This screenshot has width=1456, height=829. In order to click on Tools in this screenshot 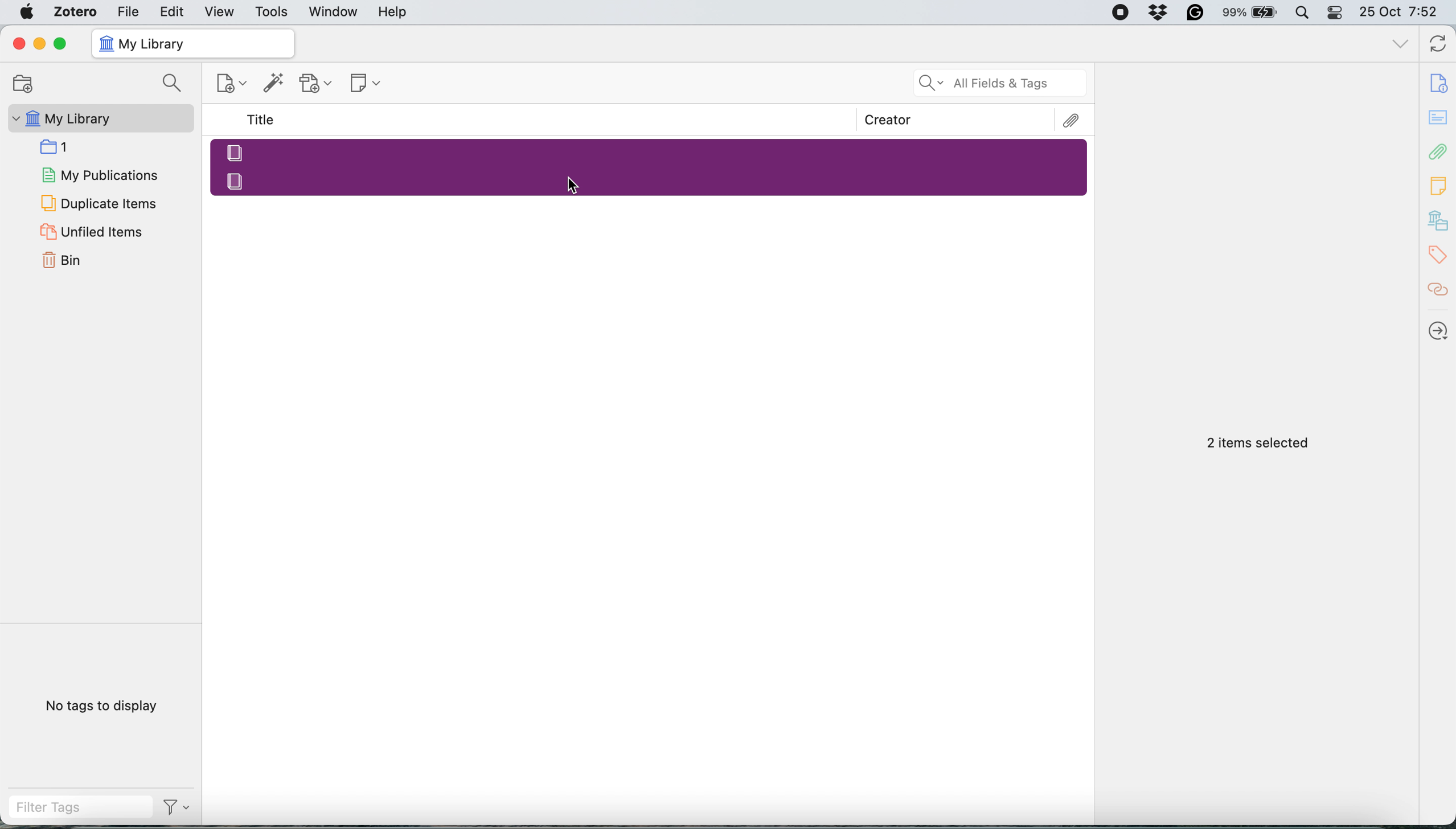, I will do `click(272, 13)`.